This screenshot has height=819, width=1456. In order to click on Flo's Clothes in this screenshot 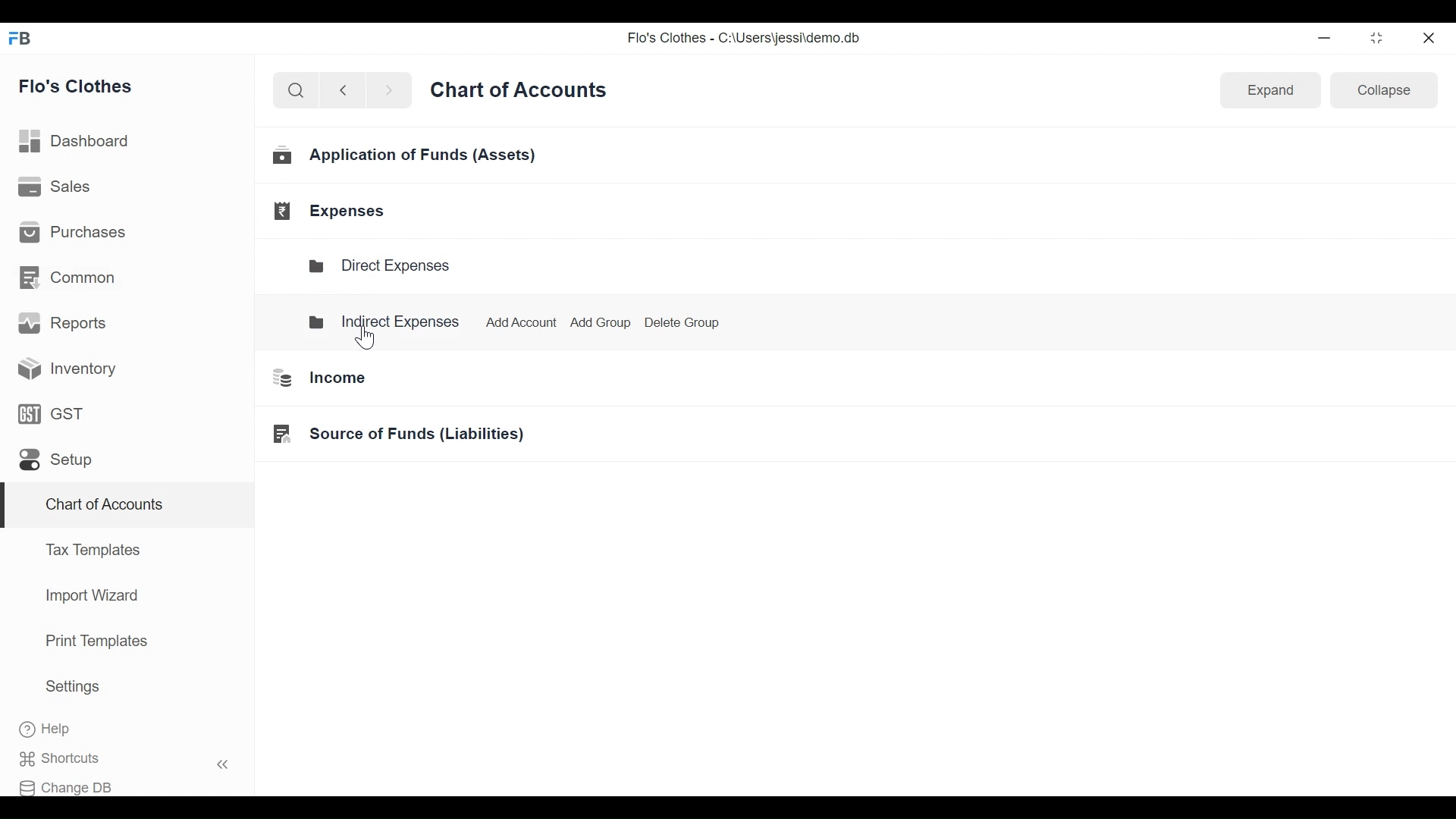, I will do `click(83, 87)`.